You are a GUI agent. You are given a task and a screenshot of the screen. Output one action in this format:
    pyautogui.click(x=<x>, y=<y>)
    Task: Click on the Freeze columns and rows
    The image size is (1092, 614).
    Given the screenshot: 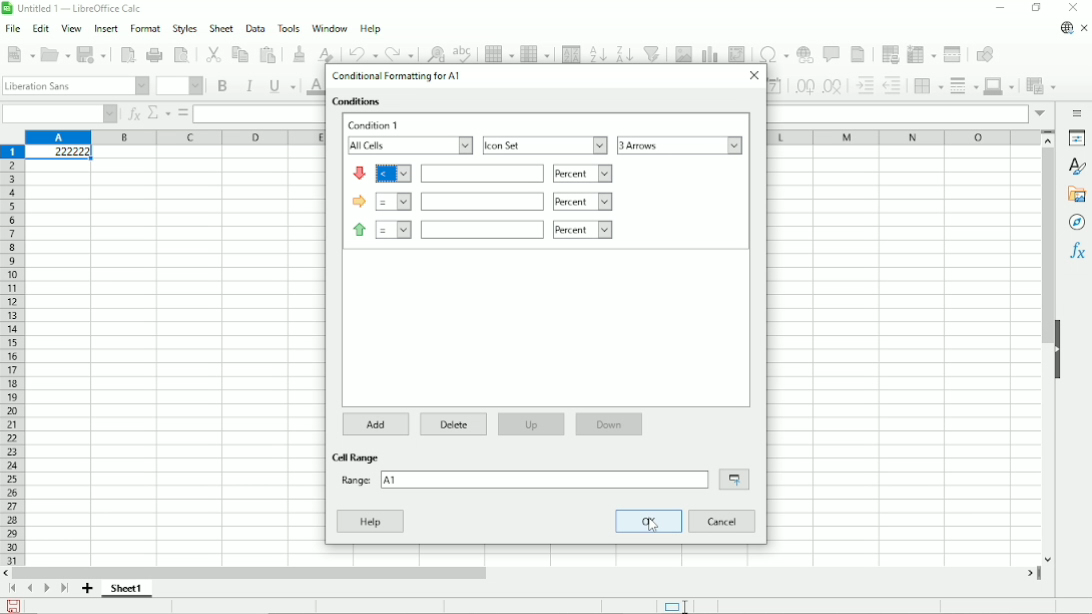 What is the action you would take?
    pyautogui.click(x=921, y=53)
    